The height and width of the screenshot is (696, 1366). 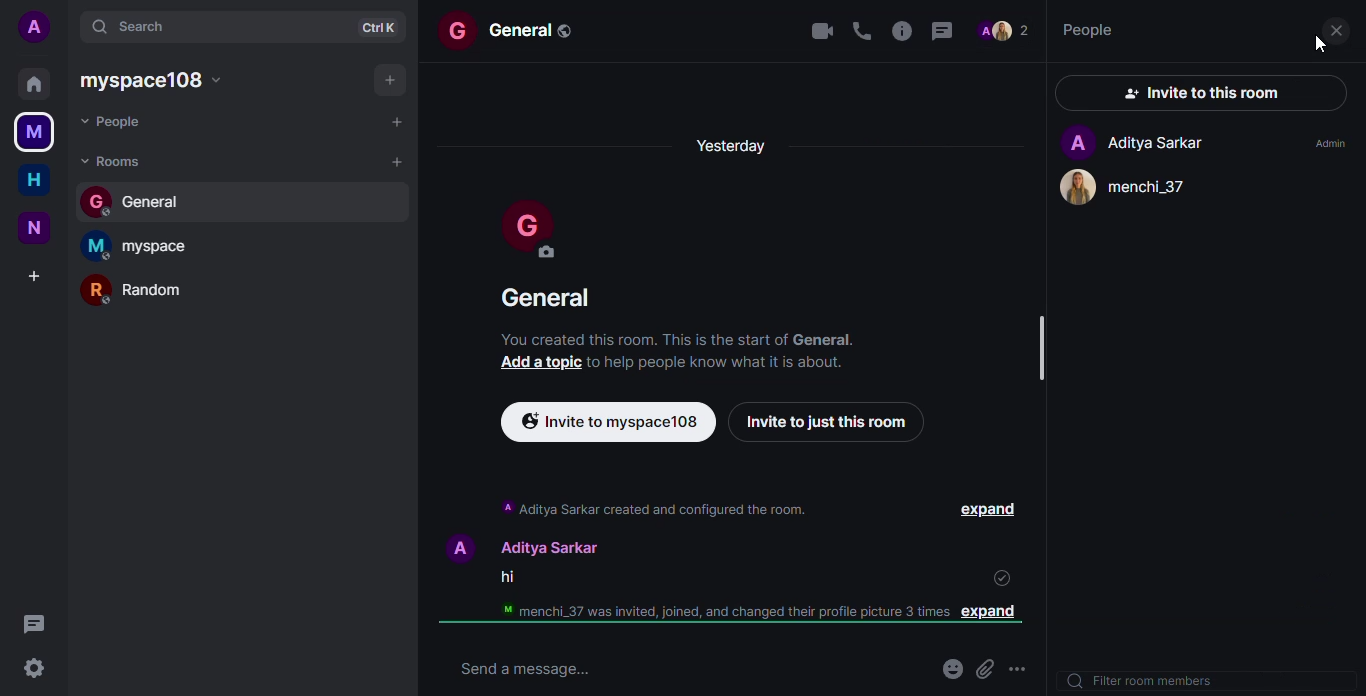 What do you see at coordinates (38, 25) in the screenshot?
I see `account` at bounding box center [38, 25].